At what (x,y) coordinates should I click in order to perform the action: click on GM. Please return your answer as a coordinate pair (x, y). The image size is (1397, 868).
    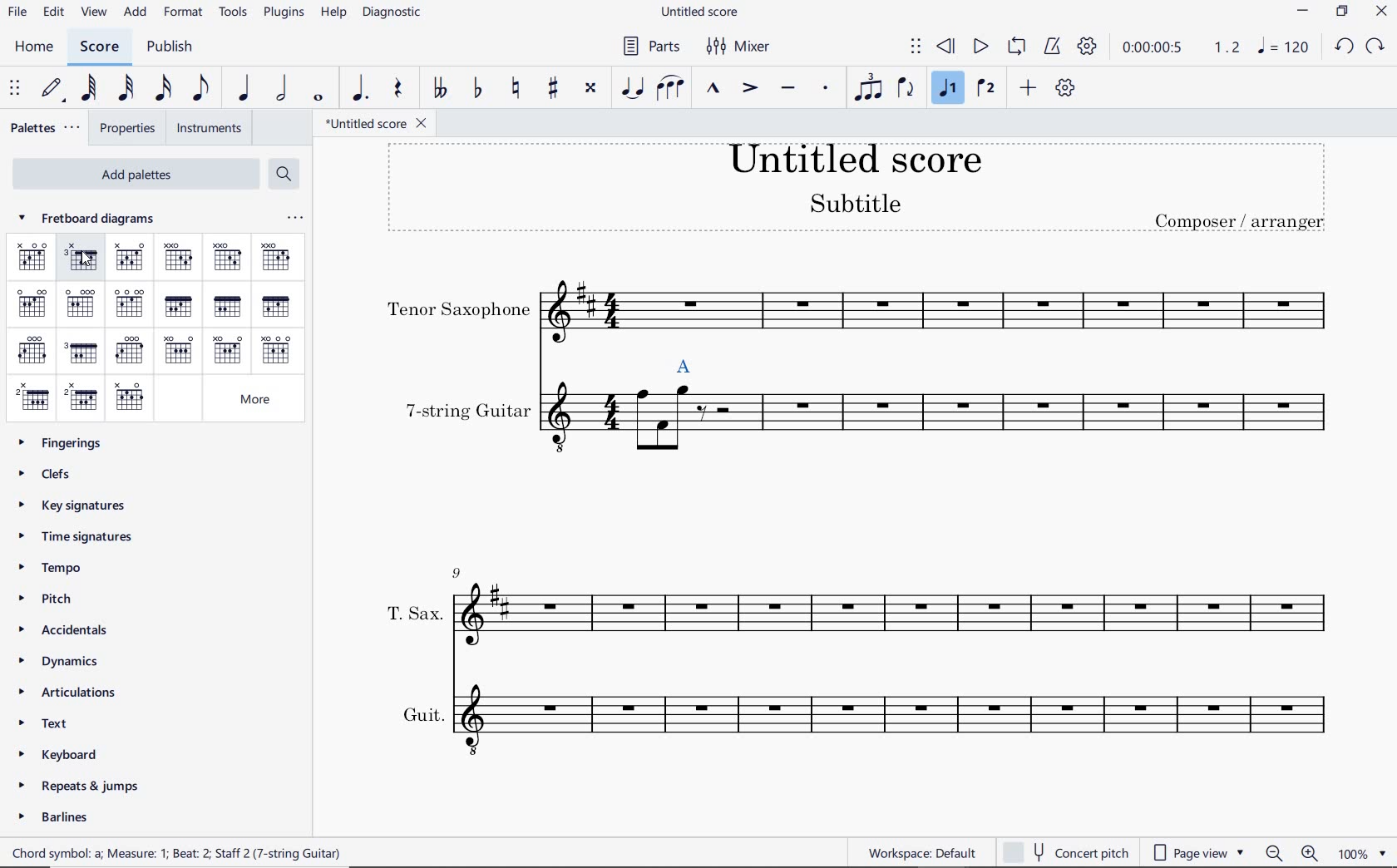
    Looking at the image, I should click on (85, 353).